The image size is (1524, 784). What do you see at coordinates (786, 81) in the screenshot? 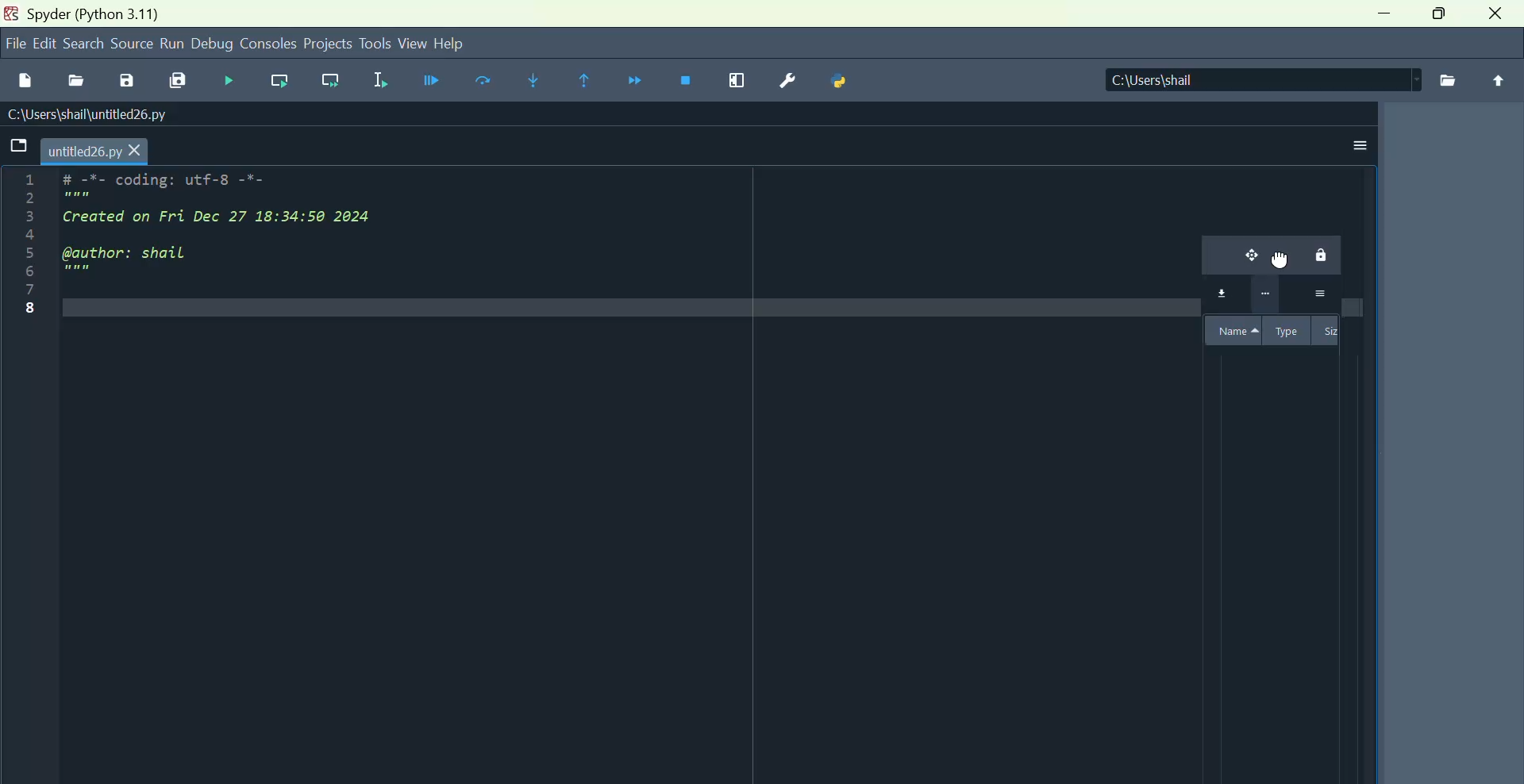
I see `Preferences` at bounding box center [786, 81].